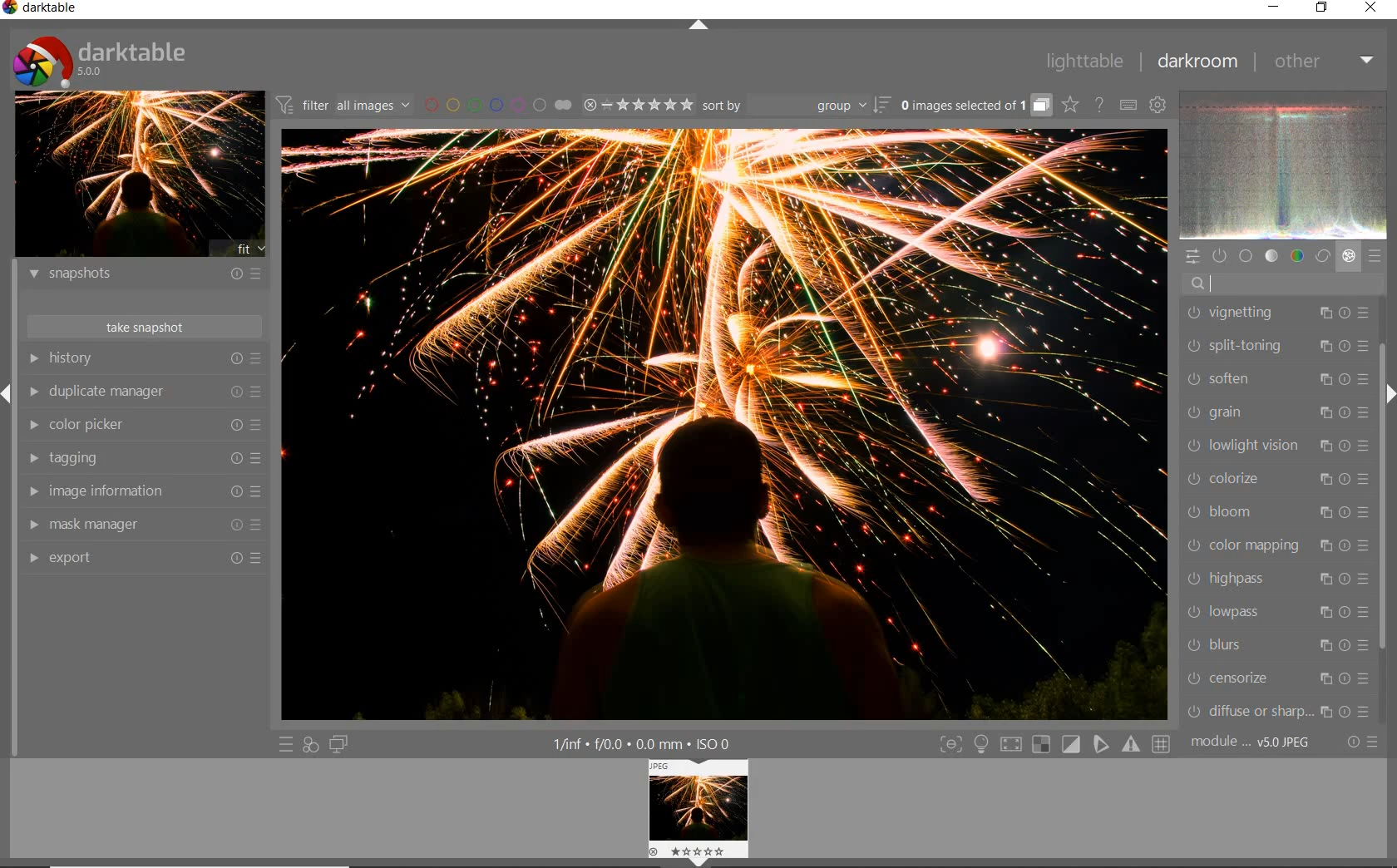 Image resolution: width=1397 pixels, height=868 pixels. I want to click on module..v50JPEG, so click(1249, 742).